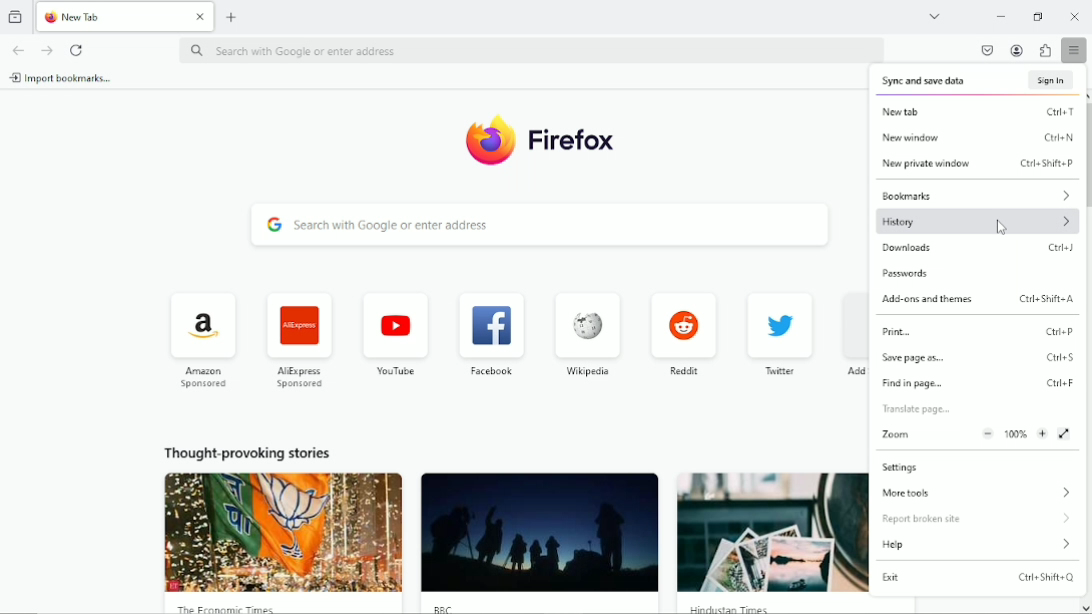 This screenshot has height=614, width=1092. What do you see at coordinates (395, 333) in the screenshot?
I see `Youtube` at bounding box center [395, 333].